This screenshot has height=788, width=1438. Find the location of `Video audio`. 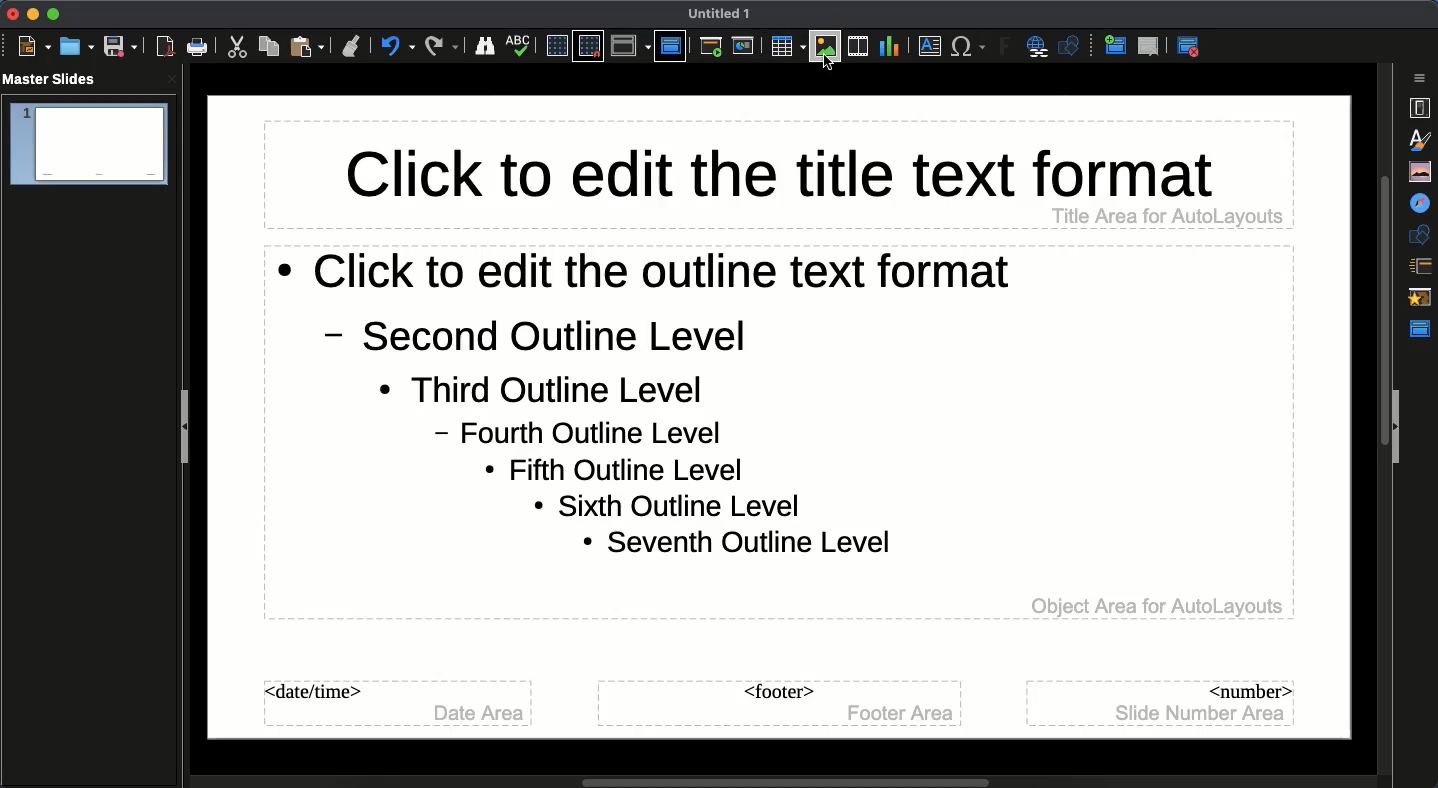

Video audio is located at coordinates (856, 47).